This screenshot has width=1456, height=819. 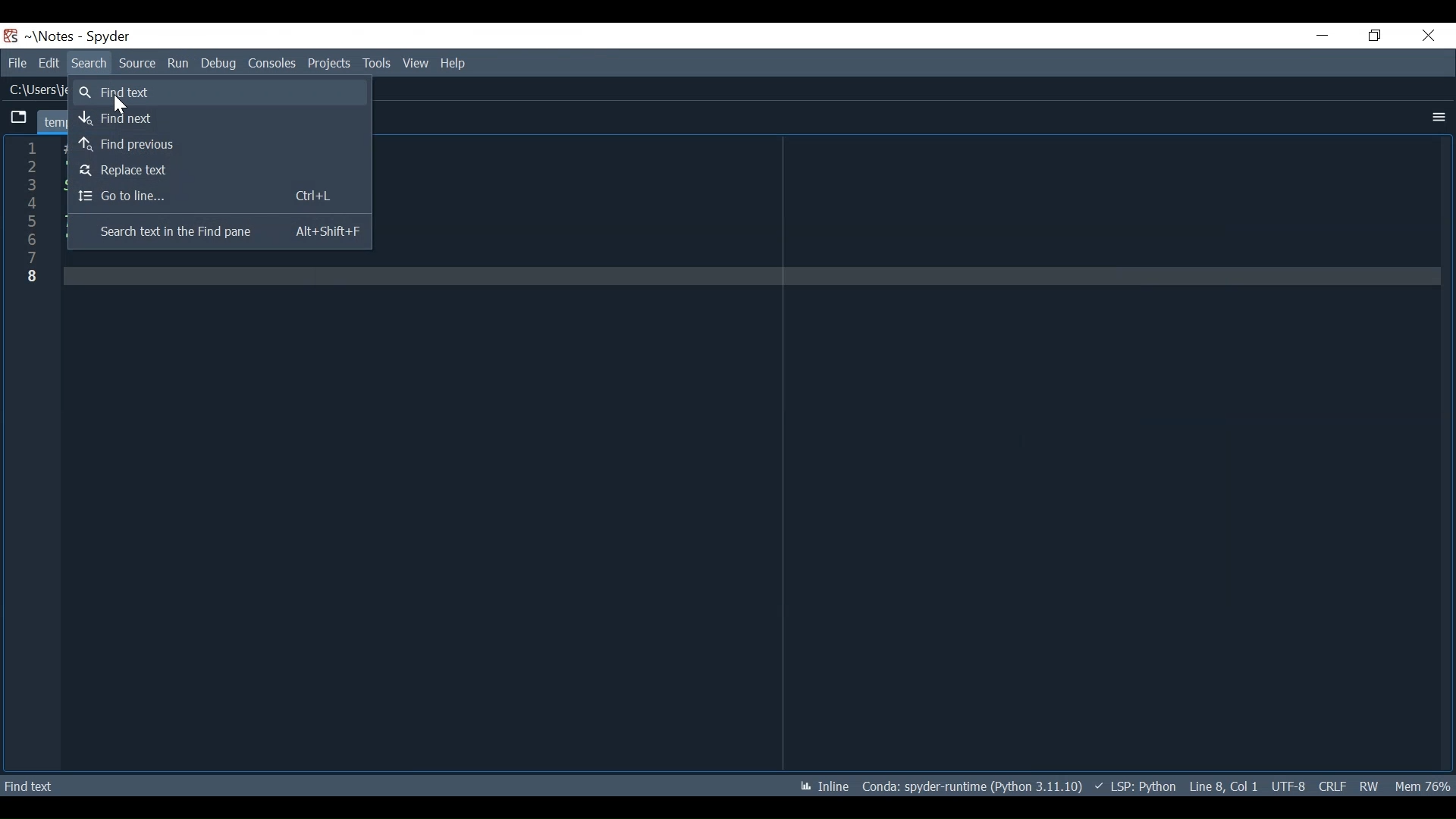 What do you see at coordinates (14, 62) in the screenshot?
I see `File` at bounding box center [14, 62].